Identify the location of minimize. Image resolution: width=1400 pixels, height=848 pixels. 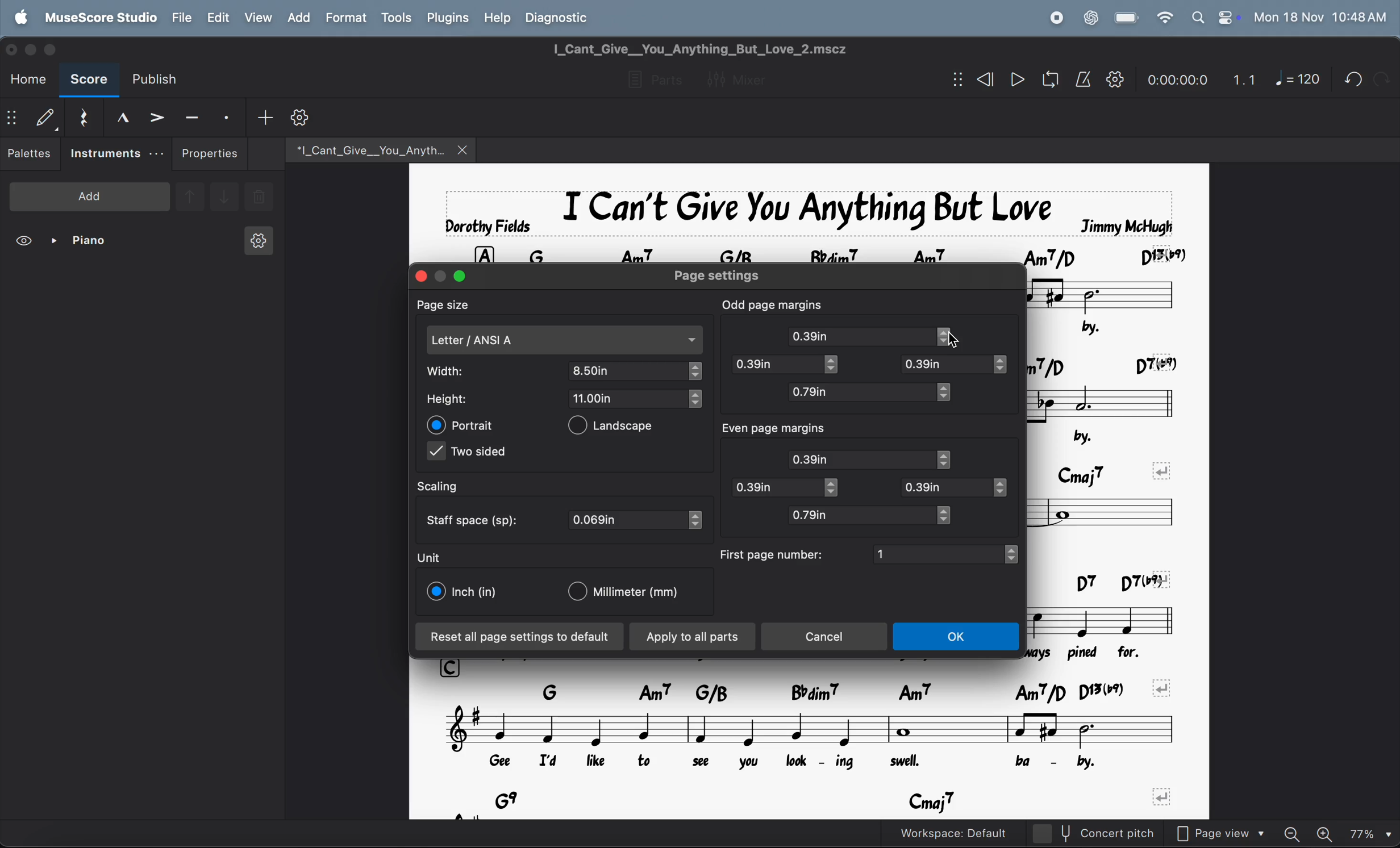
(33, 48).